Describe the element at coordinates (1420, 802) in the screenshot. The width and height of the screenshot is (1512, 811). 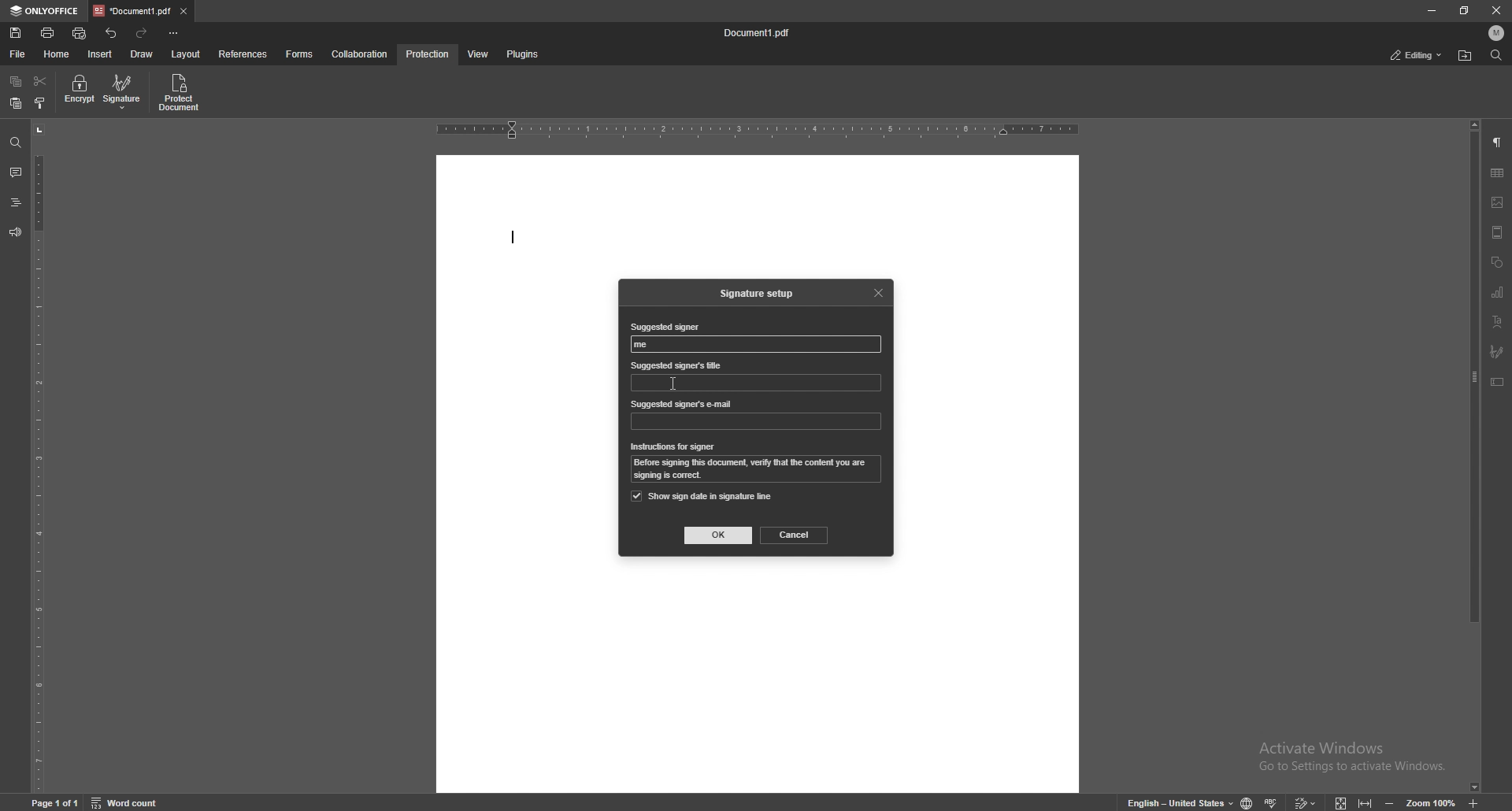
I see `zoom` at that location.